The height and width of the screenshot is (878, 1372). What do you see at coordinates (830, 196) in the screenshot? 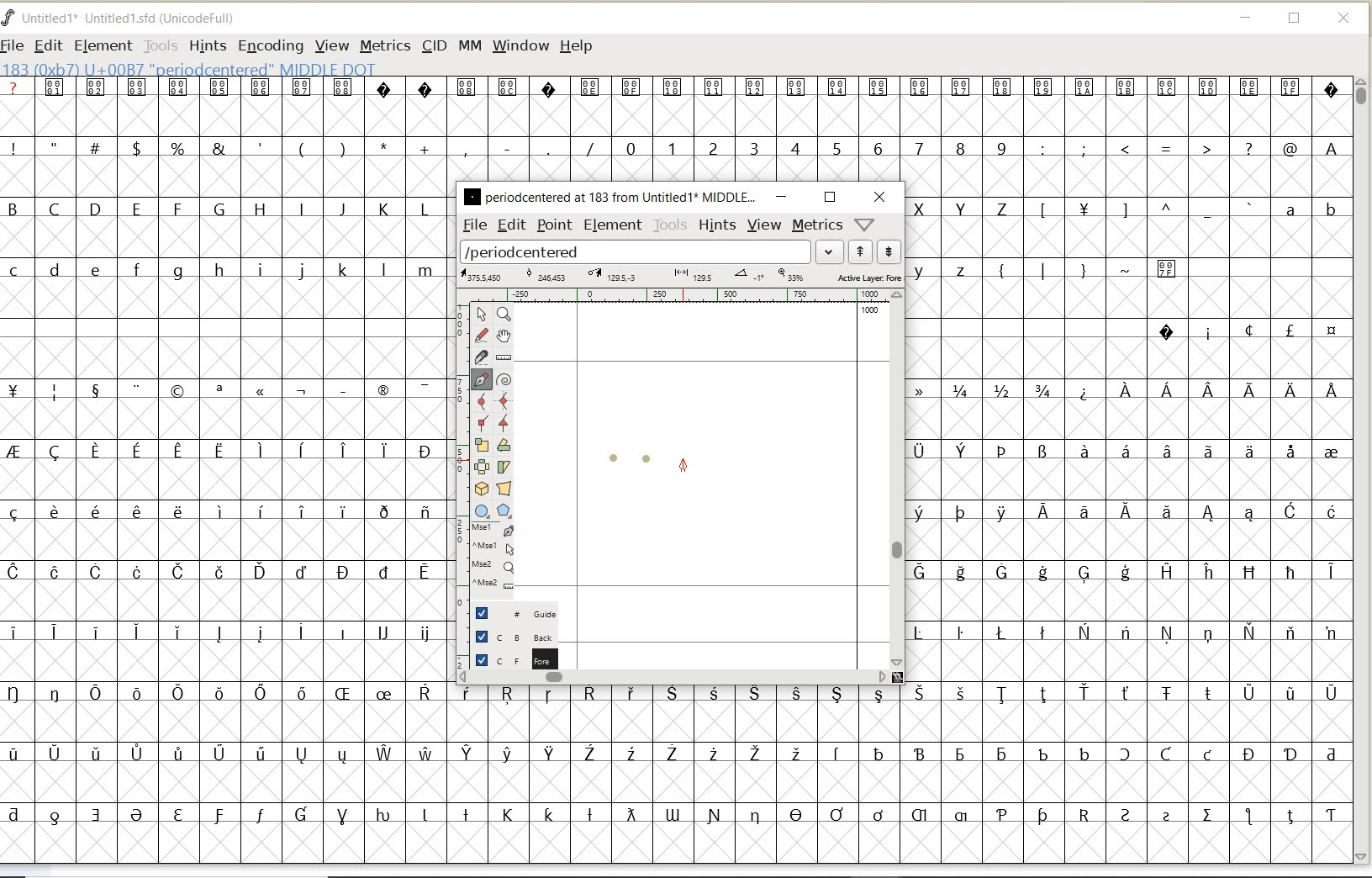
I see `restore` at bounding box center [830, 196].